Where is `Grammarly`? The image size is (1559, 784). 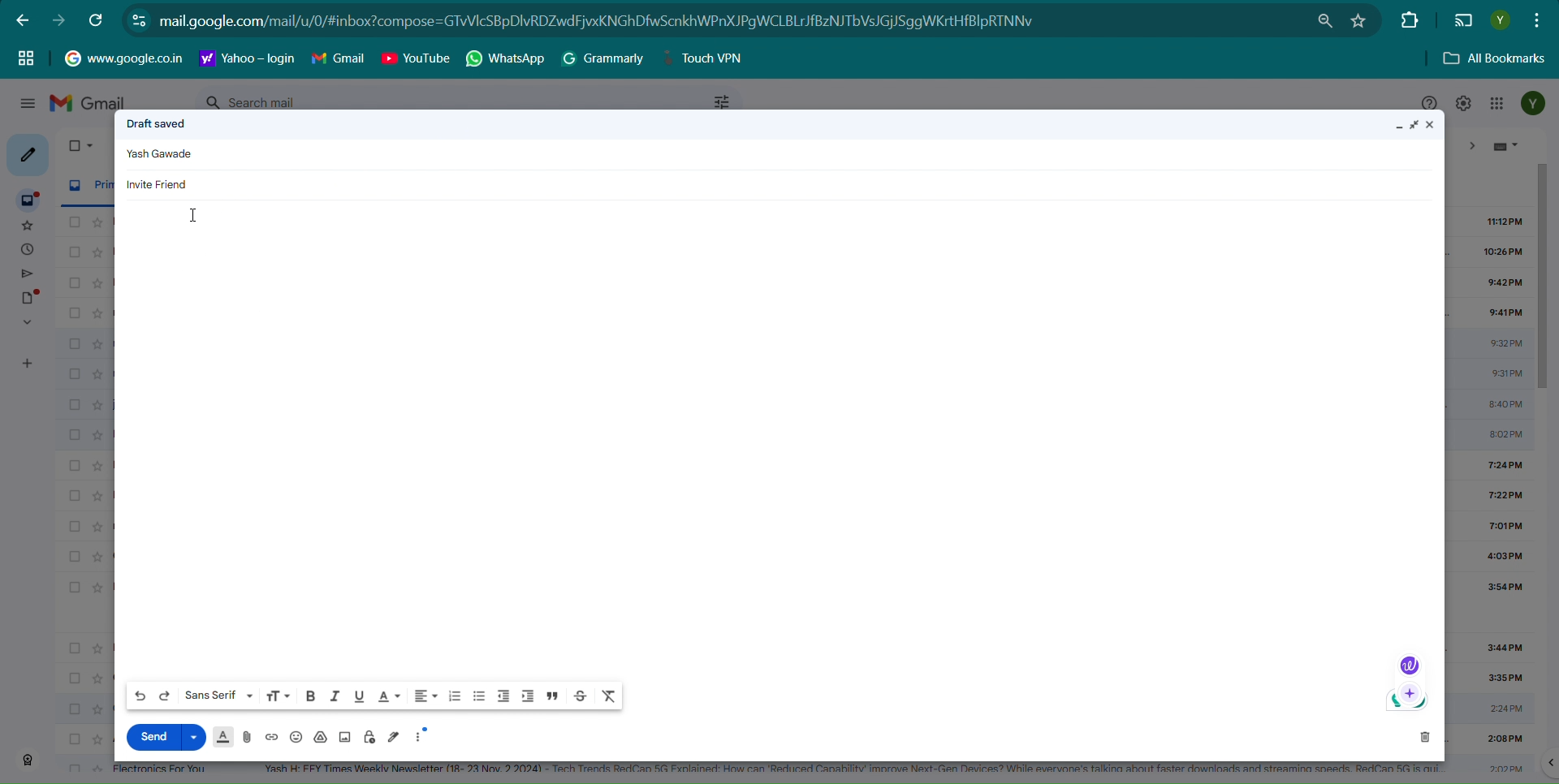 Grammarly is located at coordinates (604, 58).